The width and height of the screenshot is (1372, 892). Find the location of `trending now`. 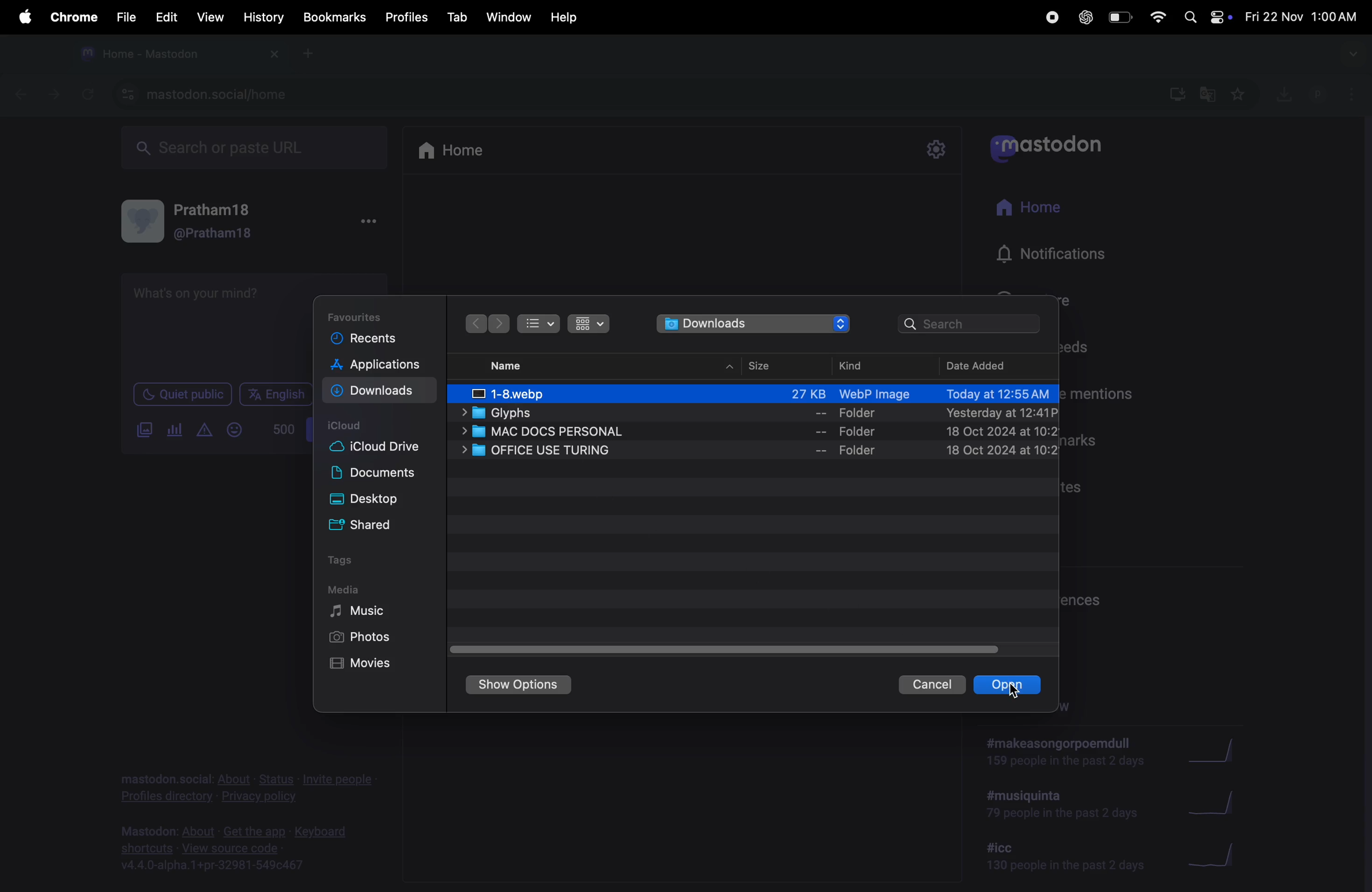

trending now is located at coordinates (1067, 755).